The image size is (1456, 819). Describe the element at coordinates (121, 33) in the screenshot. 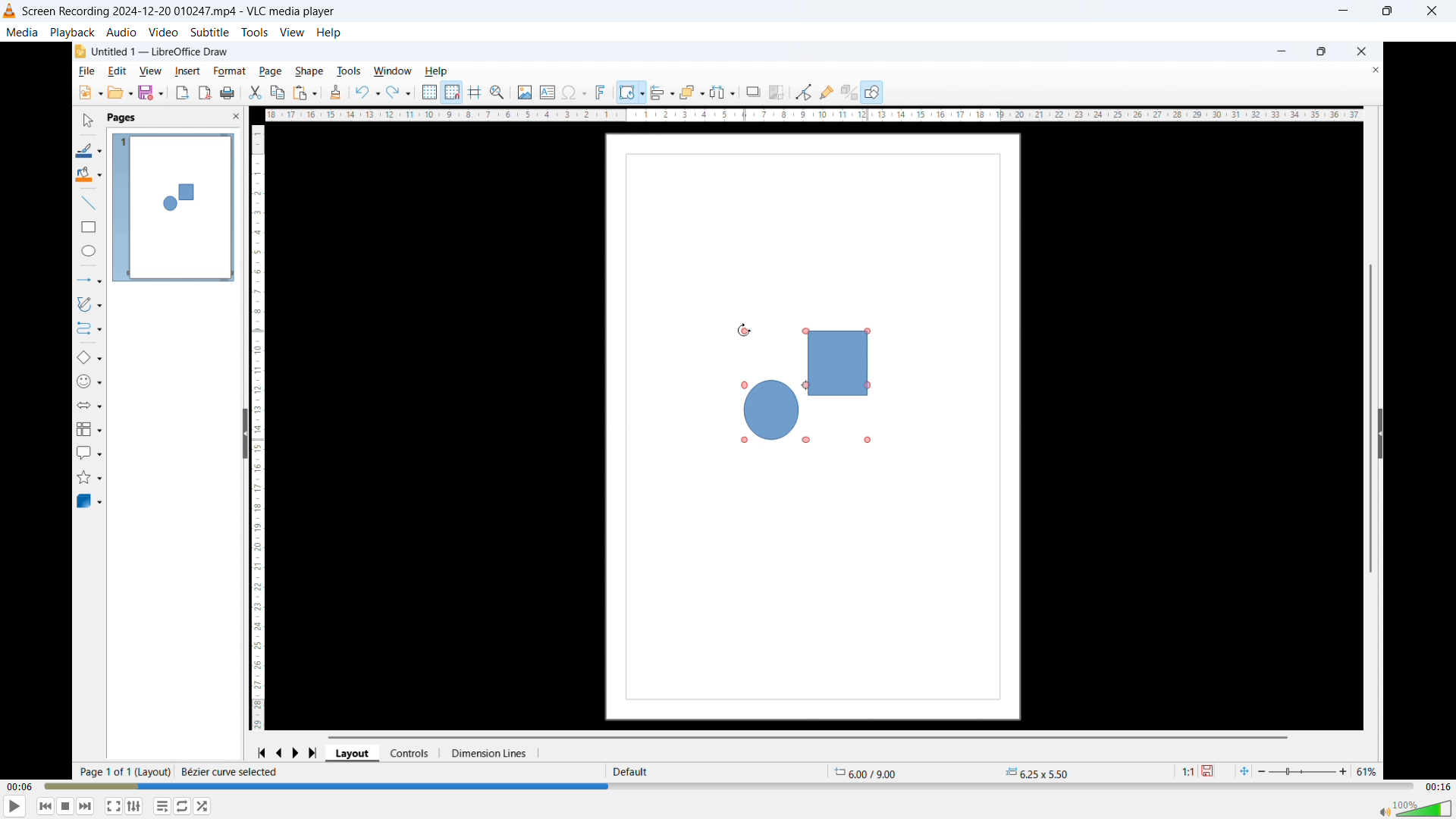

I see `Audio ` at that location.